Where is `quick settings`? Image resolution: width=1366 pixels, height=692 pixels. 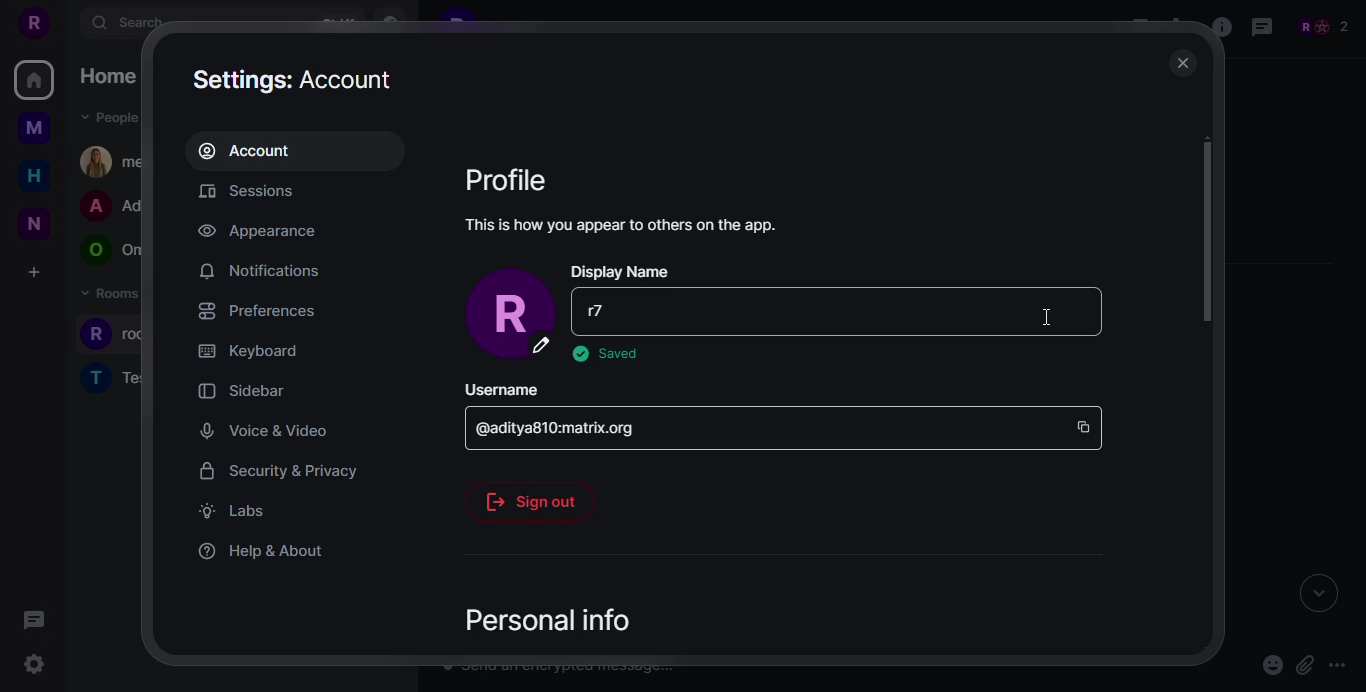
quick settings is located at coordinates (41, 665).